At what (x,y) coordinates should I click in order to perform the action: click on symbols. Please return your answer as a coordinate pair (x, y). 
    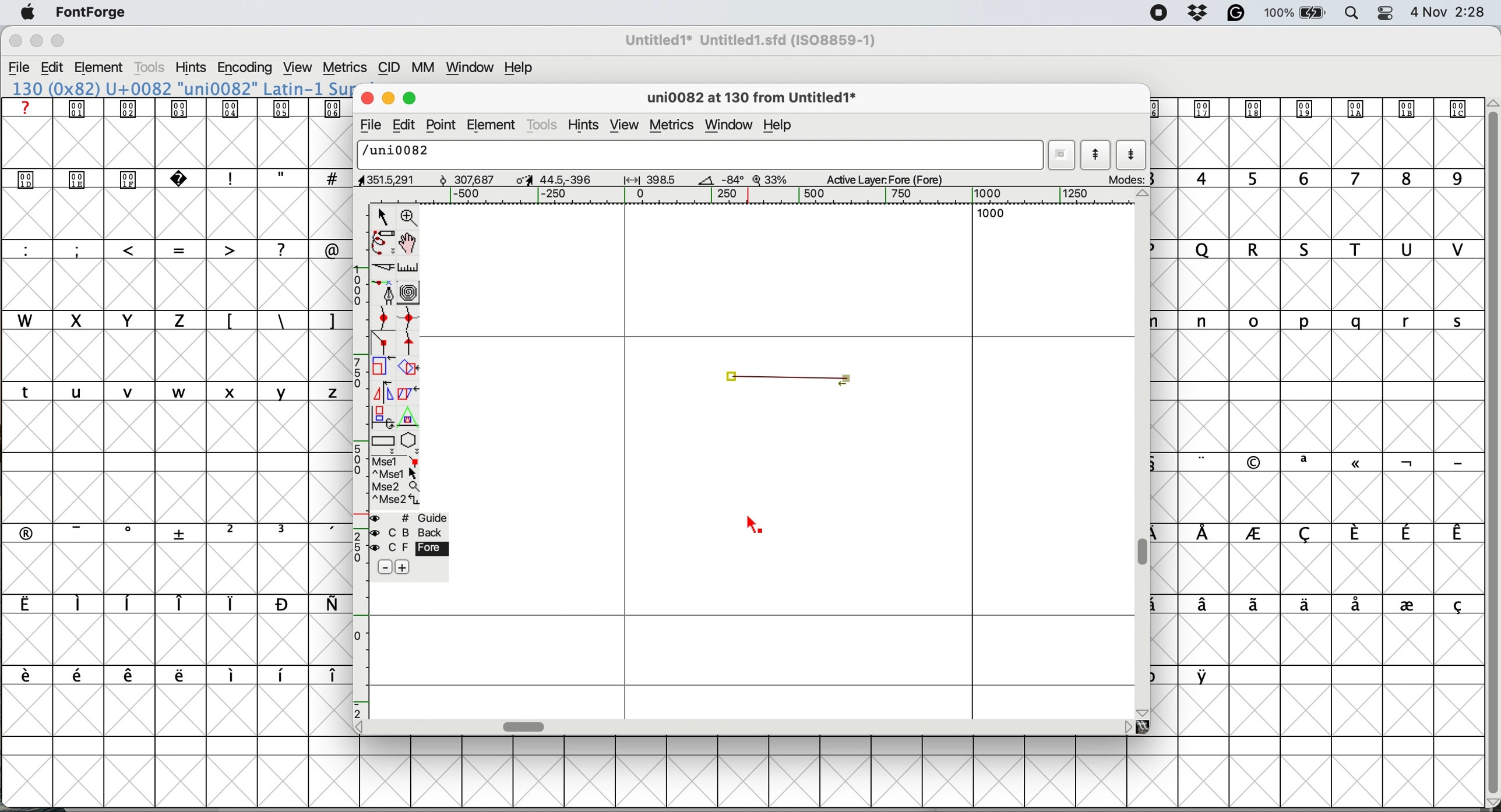
    Looking at the image, I should click on (1331, 463).